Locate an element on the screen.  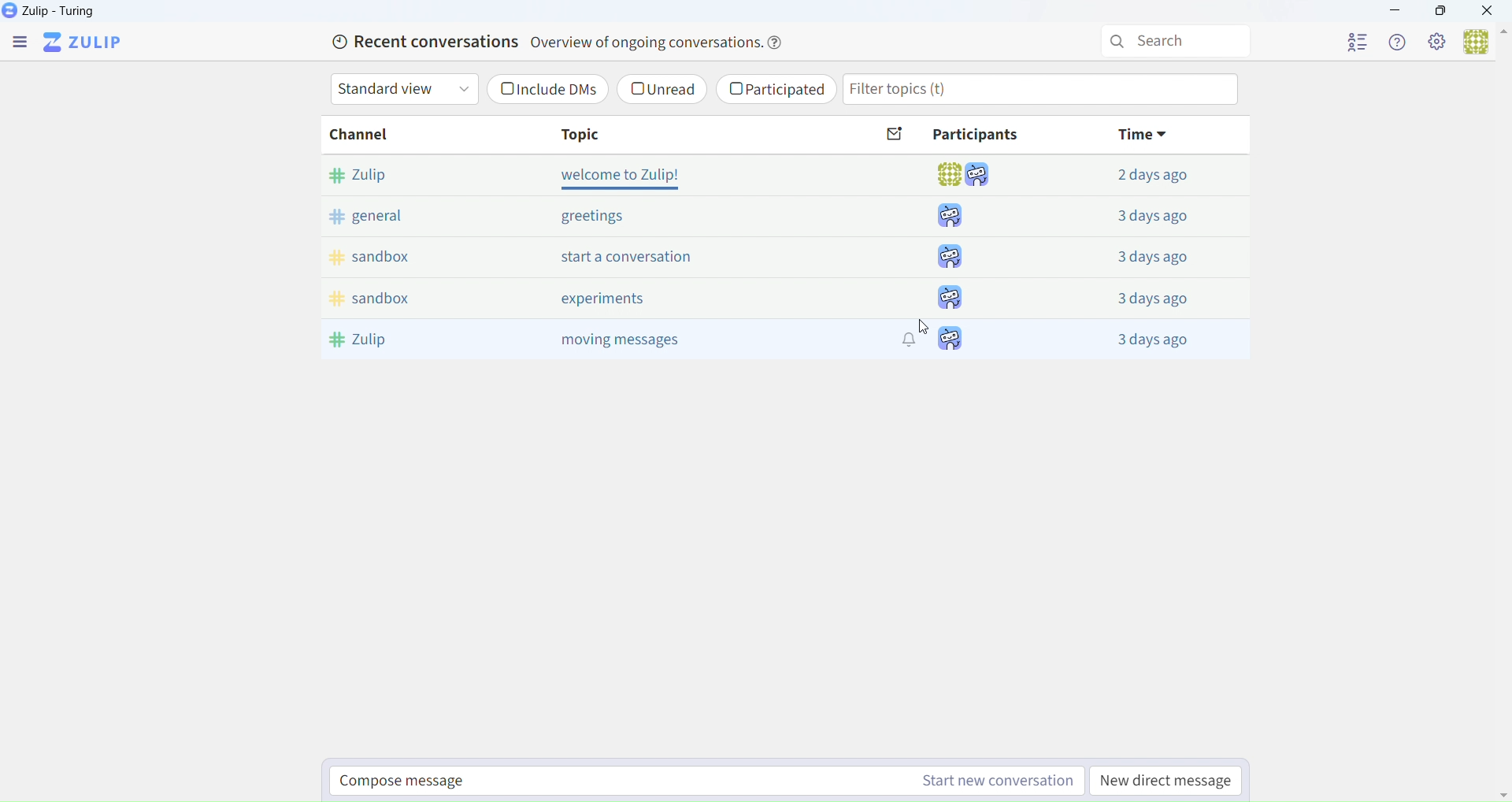
user profiles is located at coordinates (954, 341).